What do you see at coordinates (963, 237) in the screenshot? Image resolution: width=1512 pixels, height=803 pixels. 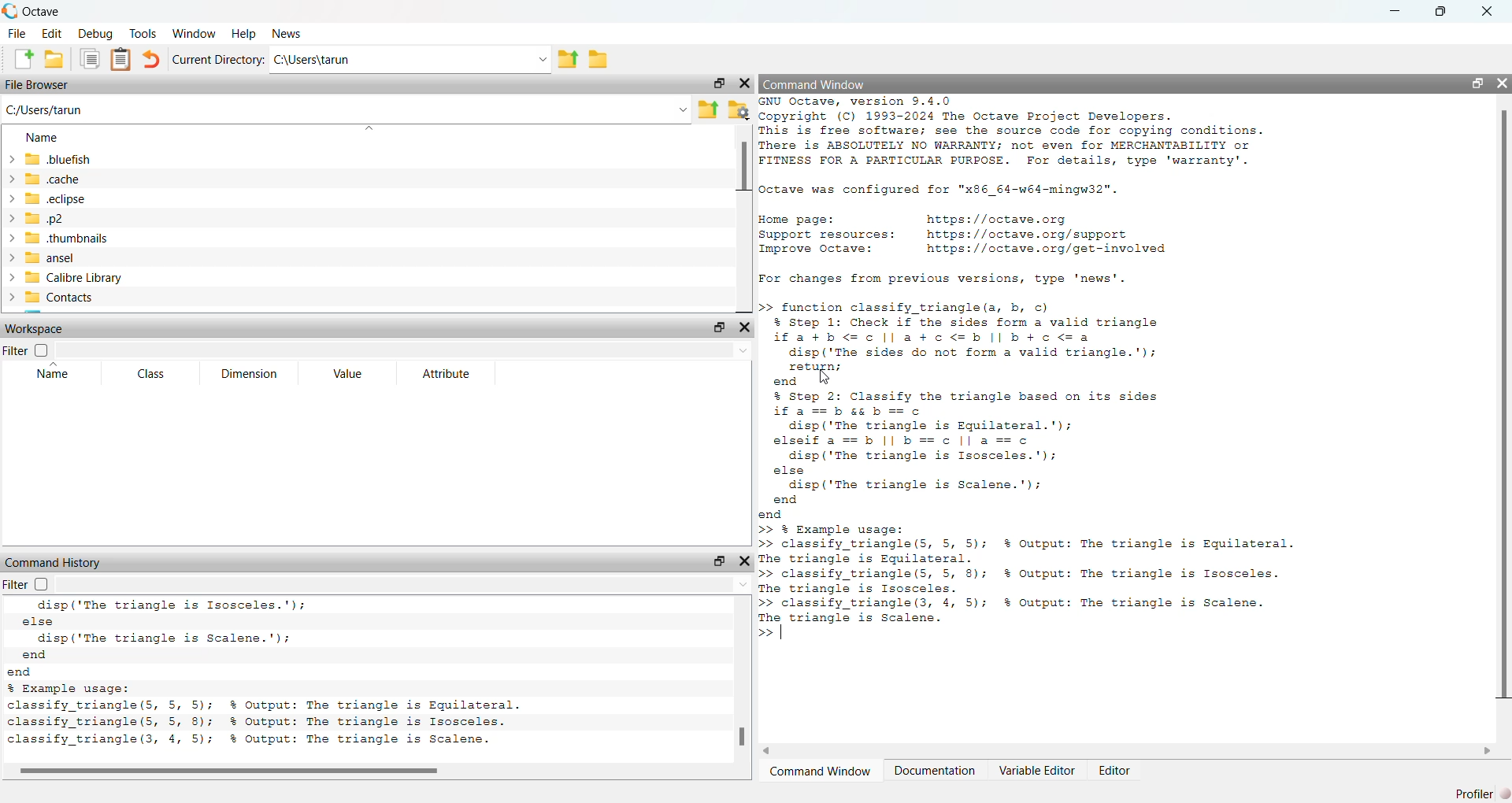 I see `details of octave resources` at bounding box center [963, 237].